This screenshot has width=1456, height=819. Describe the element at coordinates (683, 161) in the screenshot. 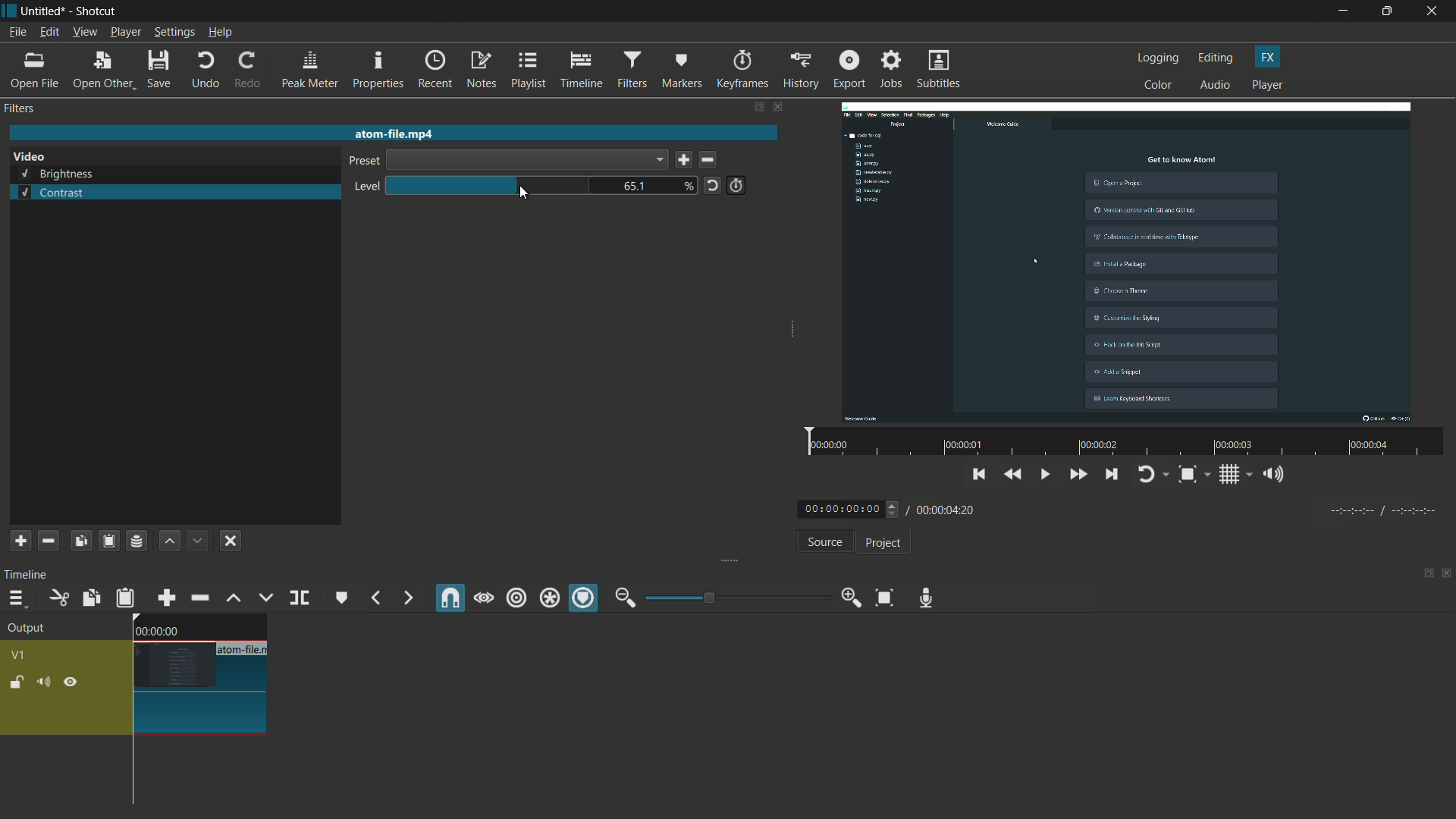

I see `save` at that location.